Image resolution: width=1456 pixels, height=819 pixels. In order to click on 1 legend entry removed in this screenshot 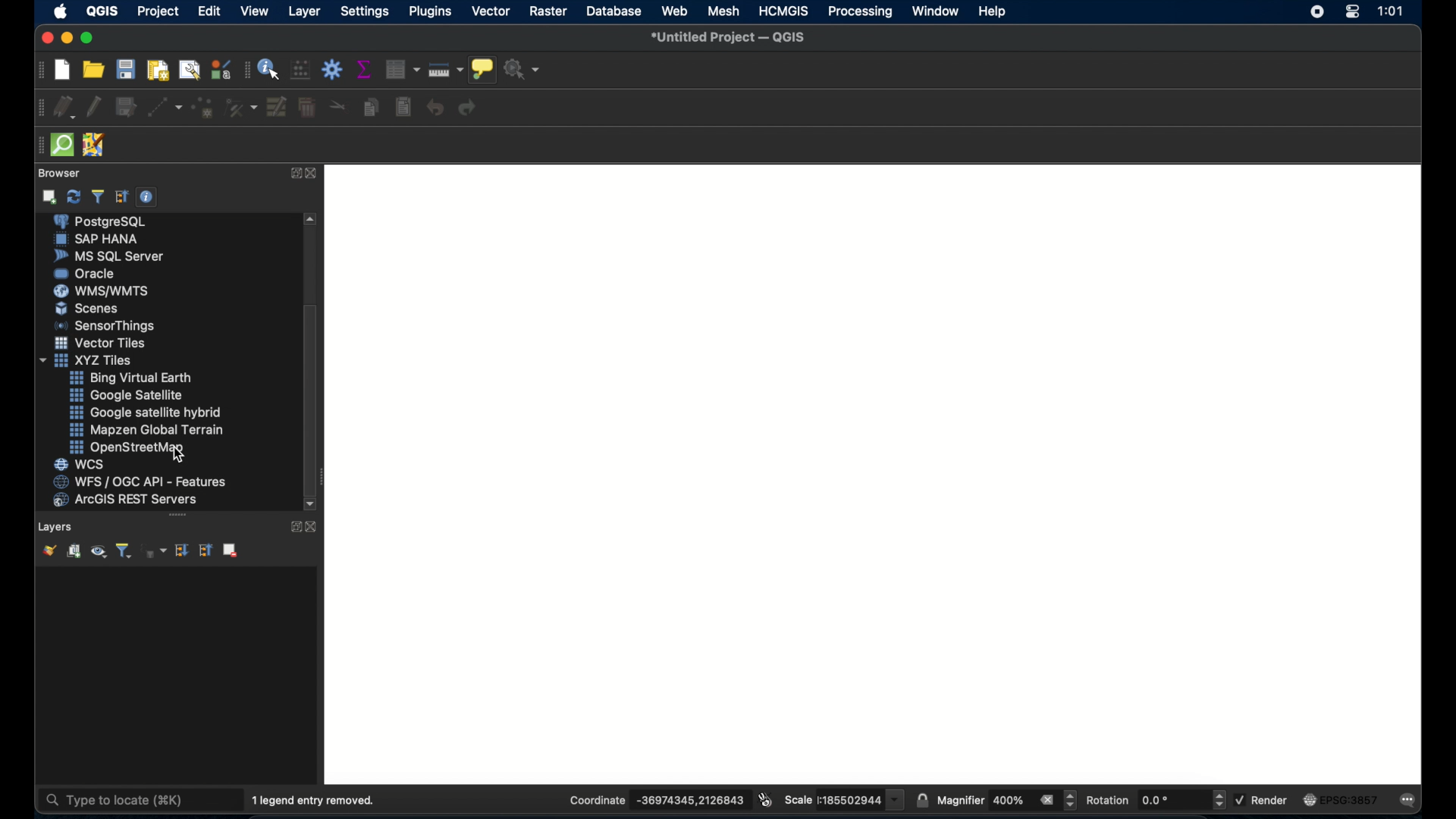, I will do `click(314, 801)`.